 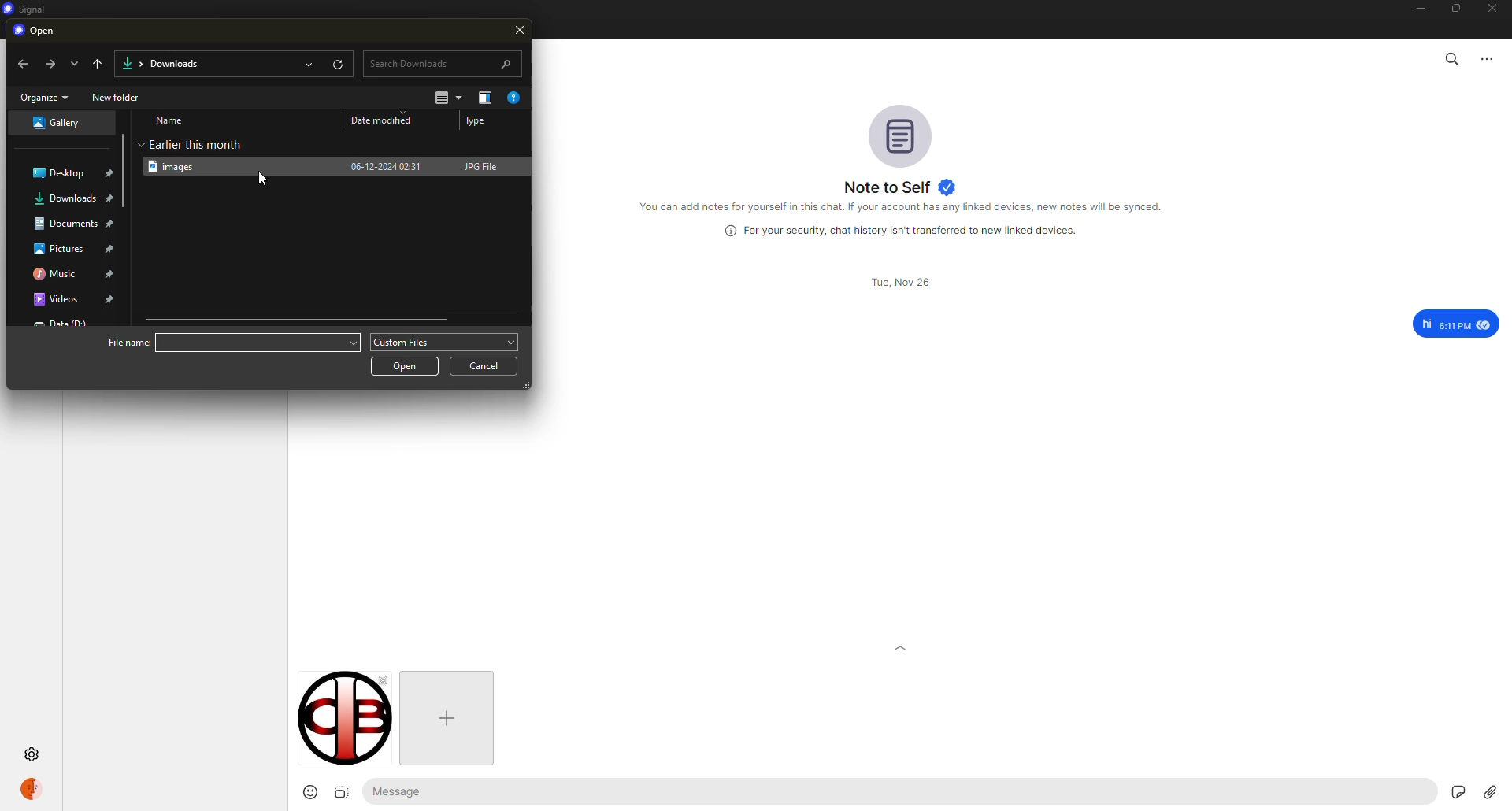 What do you see at coordinates (111, 274) in the screenshot?
I see `pin` at bounding box center [111, 274].